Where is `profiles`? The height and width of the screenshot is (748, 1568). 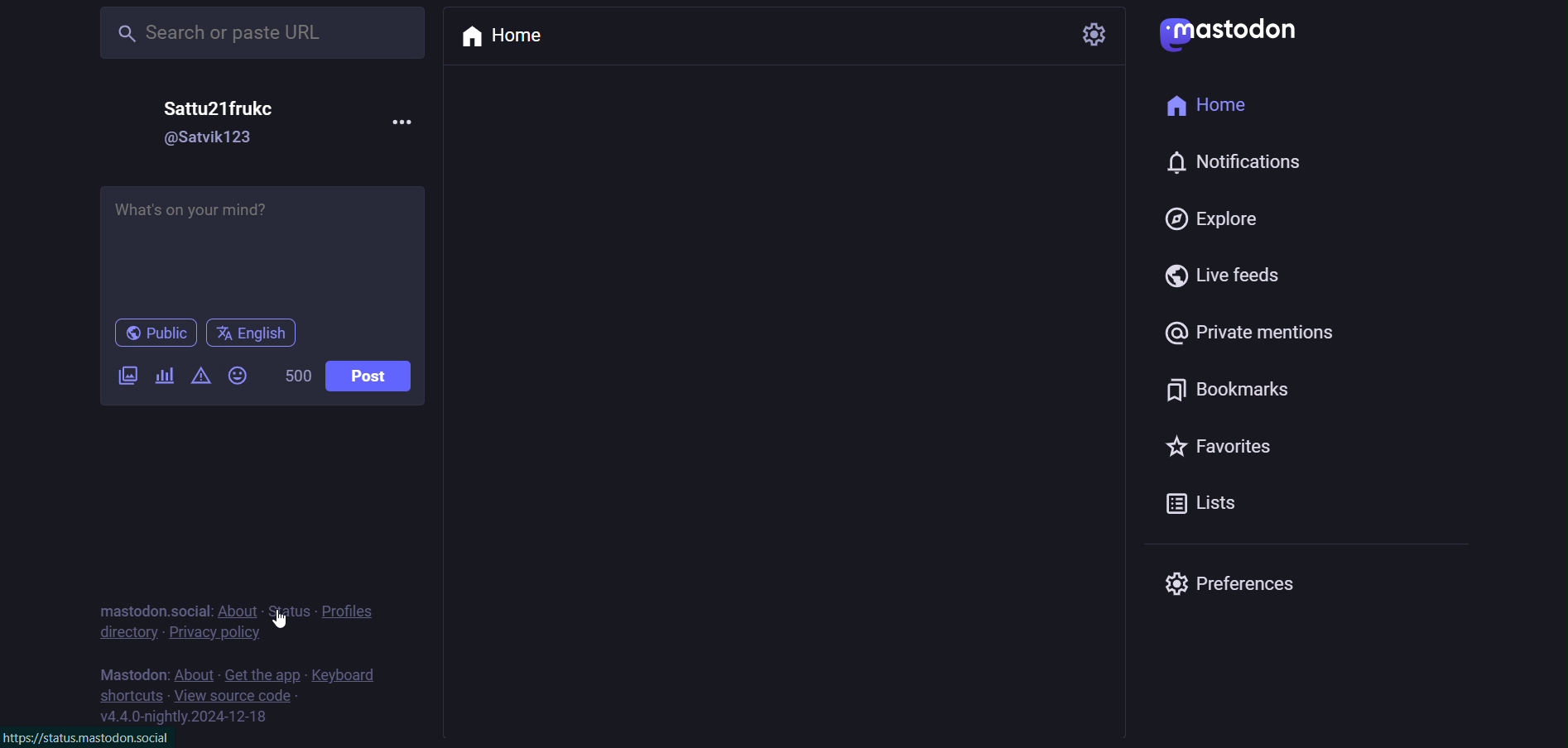
profiles is located at coordinates (349, 611).